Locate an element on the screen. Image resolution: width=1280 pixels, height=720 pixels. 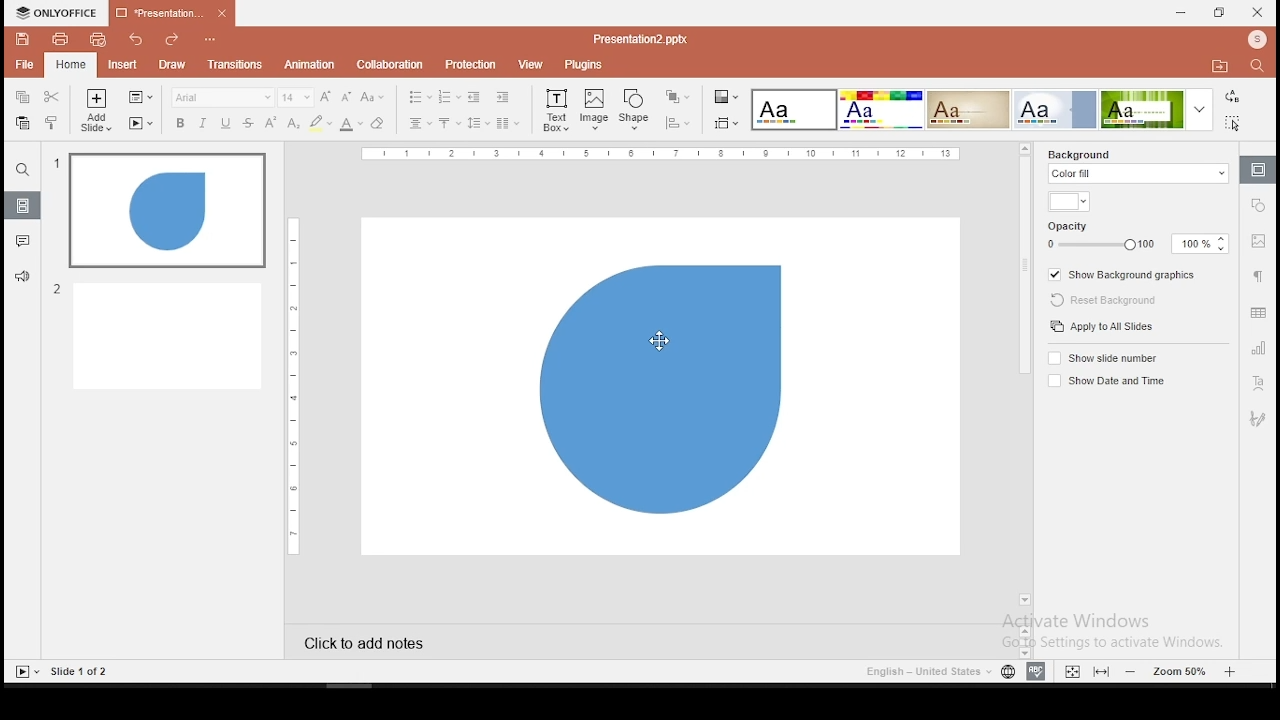
scroll bar is located at coordinates (1022, 382).